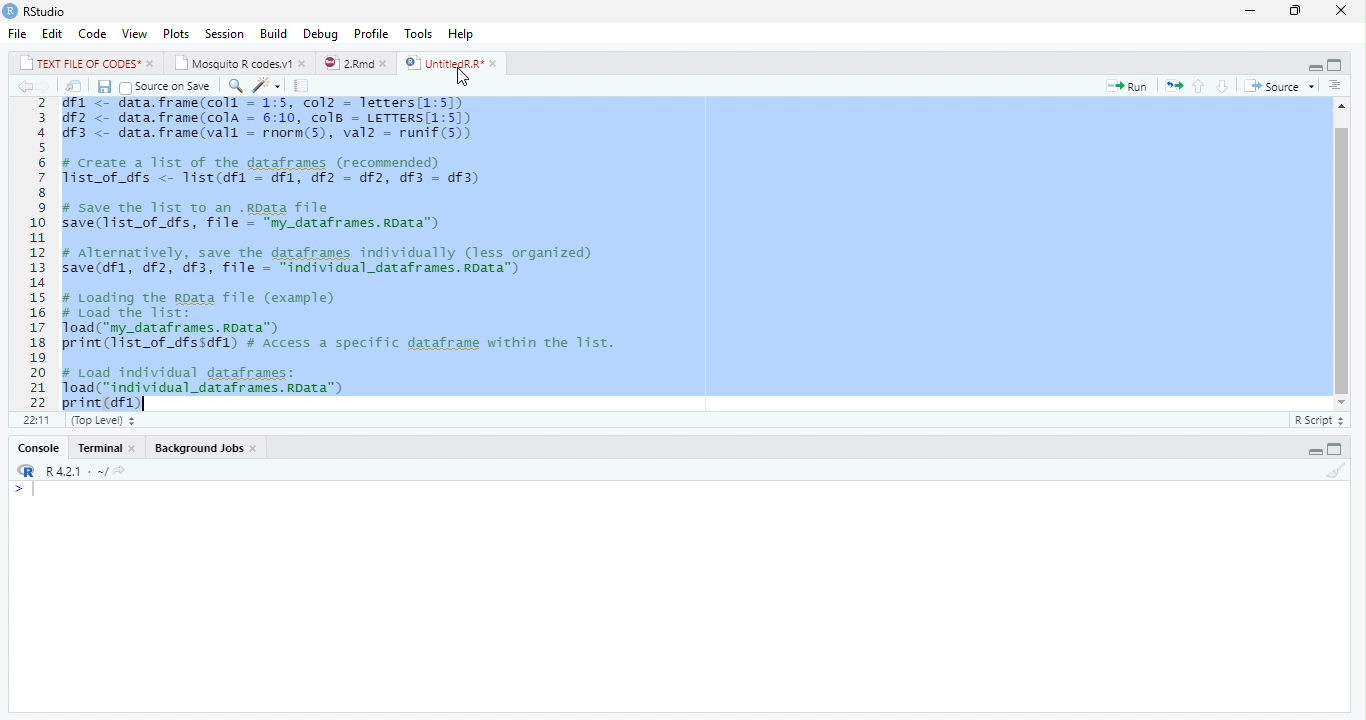 Image resolution: width=1366 pixels, height=720 pixels. Describe the element at coordinates (168, 87) in the screenshot. I see `Source on Save` at that location.